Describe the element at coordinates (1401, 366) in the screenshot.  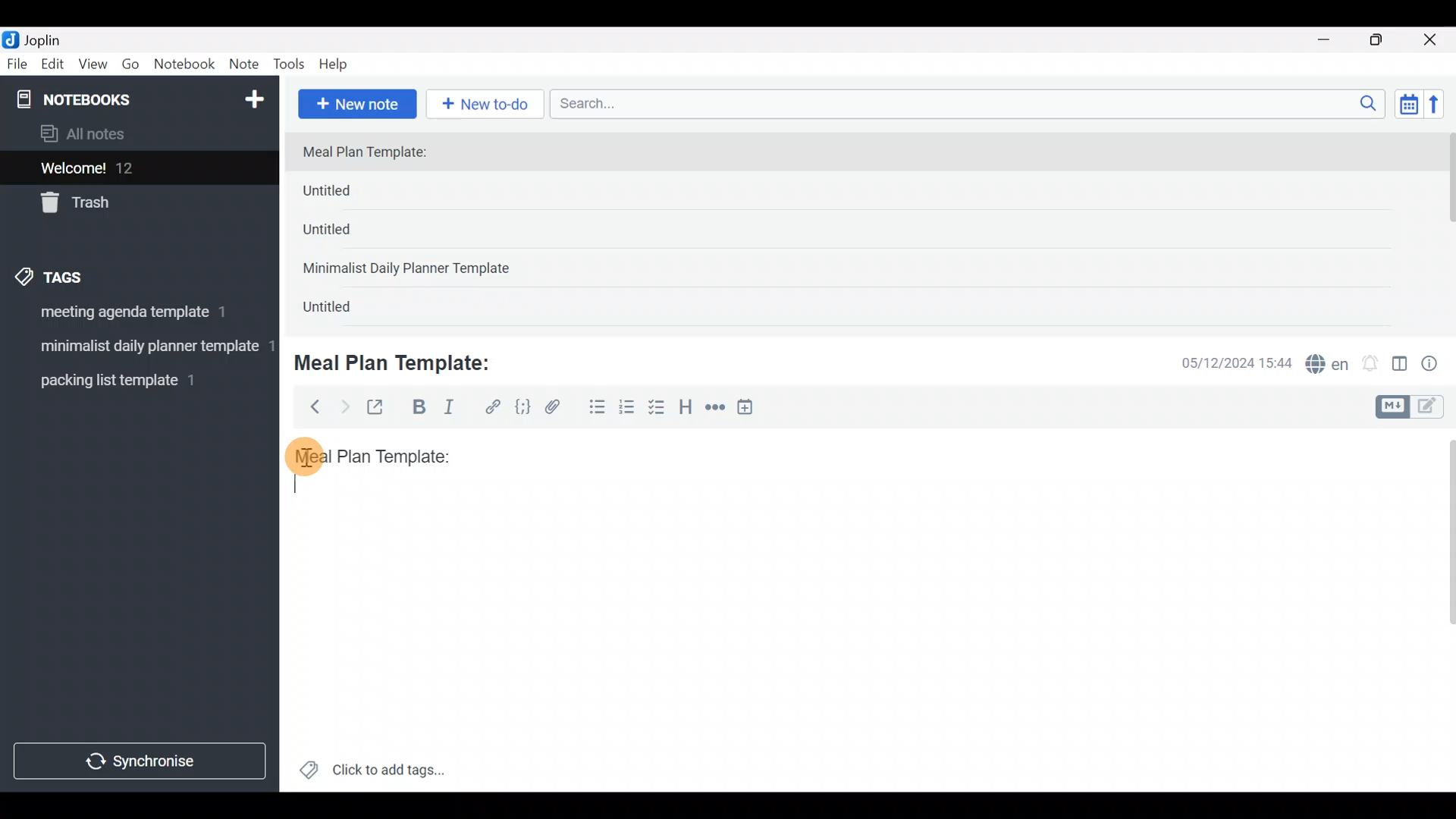
I see `Toggle editor layout` at that location.